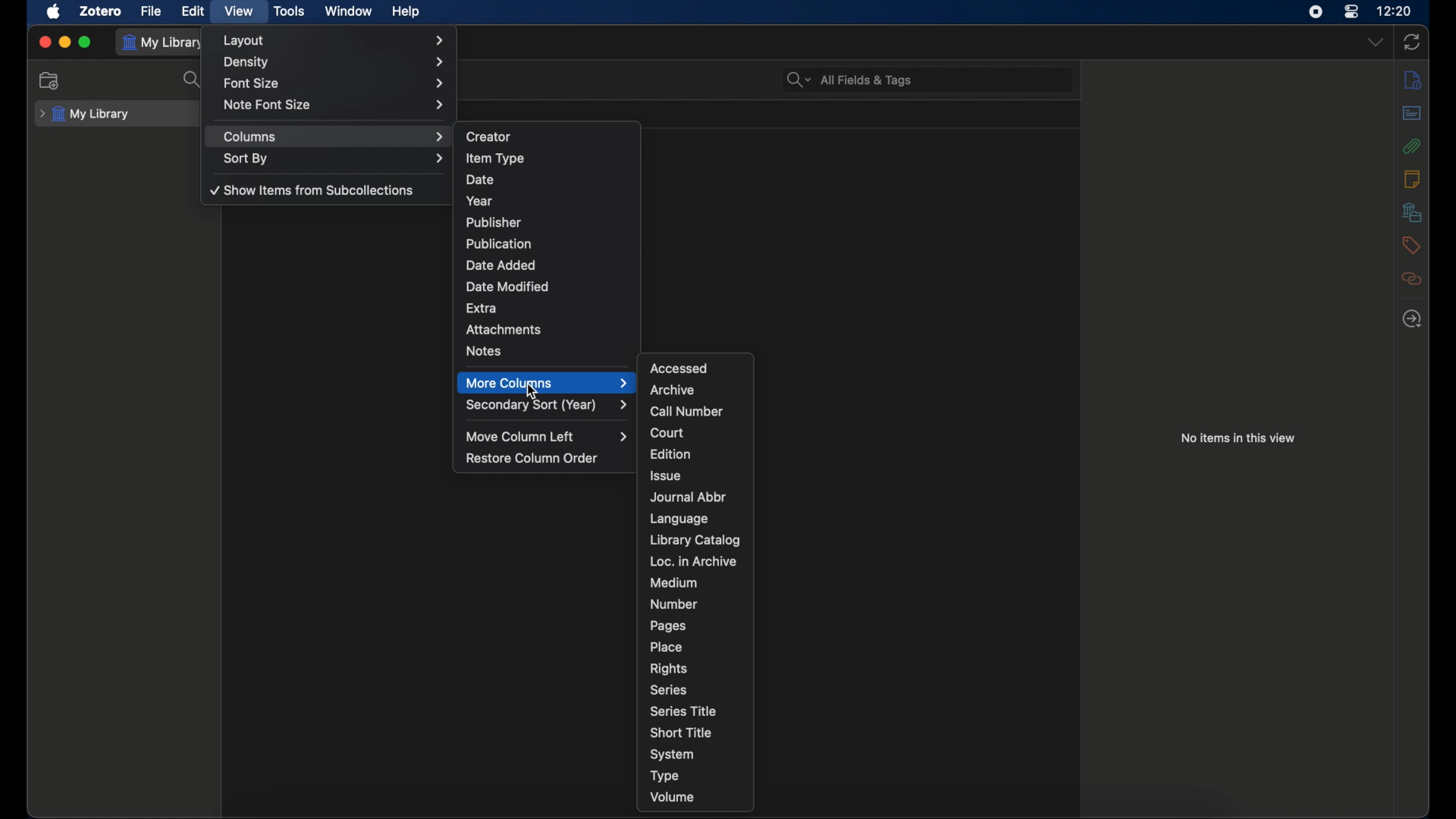  I want to click on search bar, so click(848, 80).